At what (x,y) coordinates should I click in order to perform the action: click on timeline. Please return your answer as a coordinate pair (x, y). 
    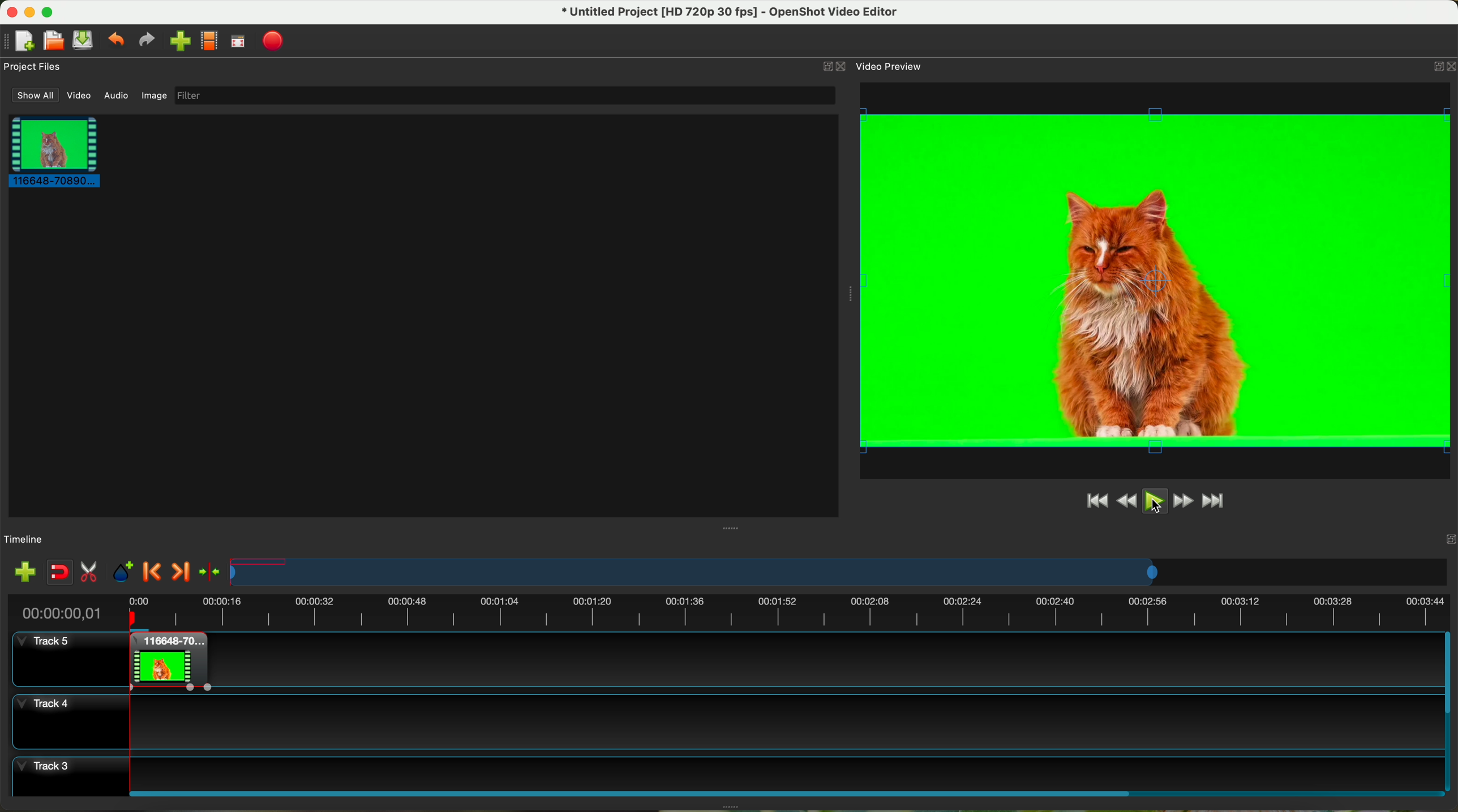
    Looking at the image, I should click on (840, 572).